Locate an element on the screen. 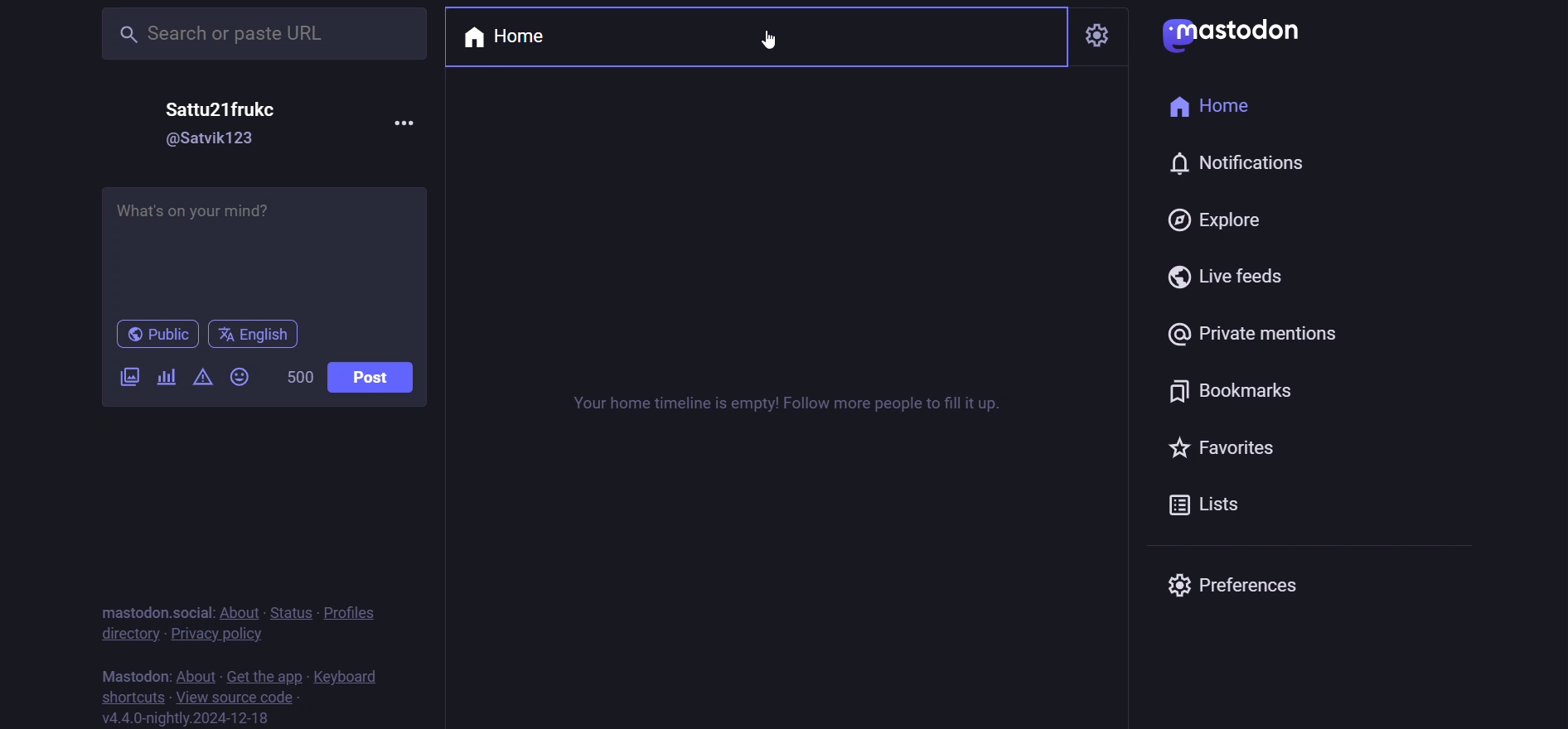 This screenshot has height=729, width=1568. directory is located at coordinates (123, 632).